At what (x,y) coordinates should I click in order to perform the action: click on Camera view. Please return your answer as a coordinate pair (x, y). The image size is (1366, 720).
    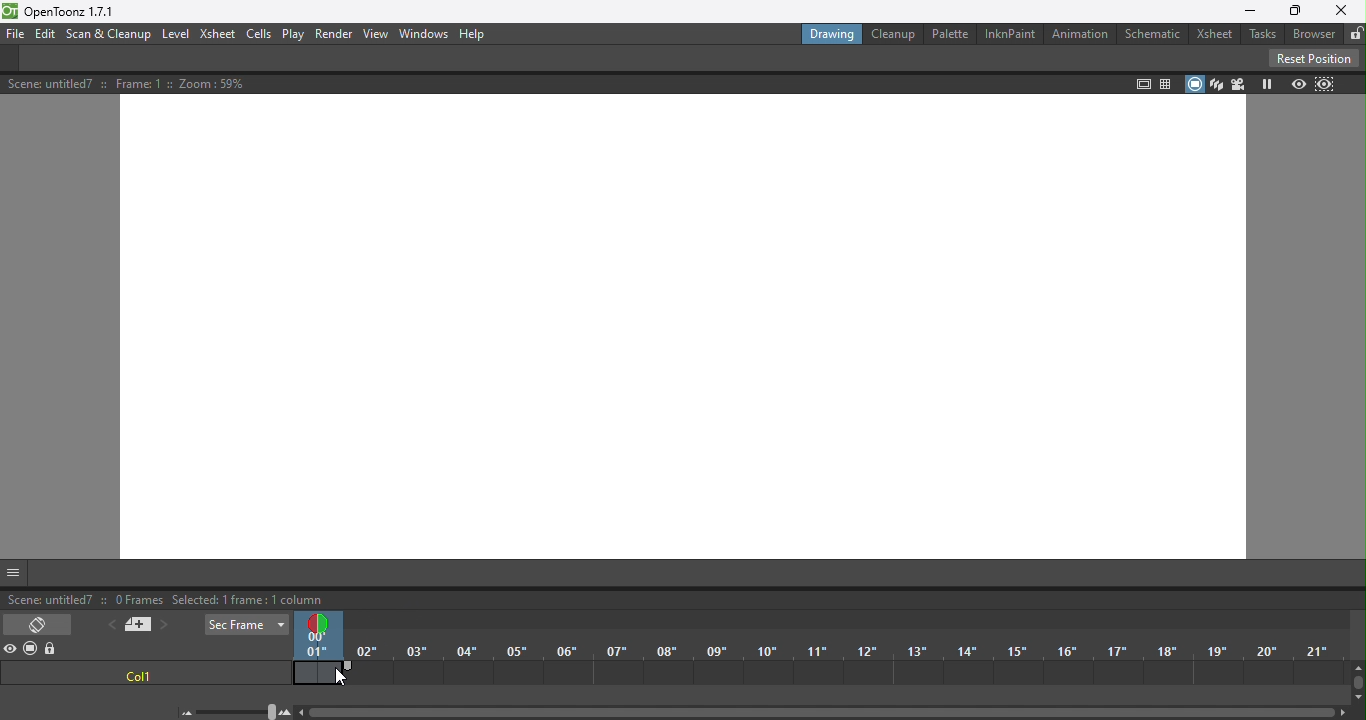
    Looking at the image, I should click on (1237, 84).